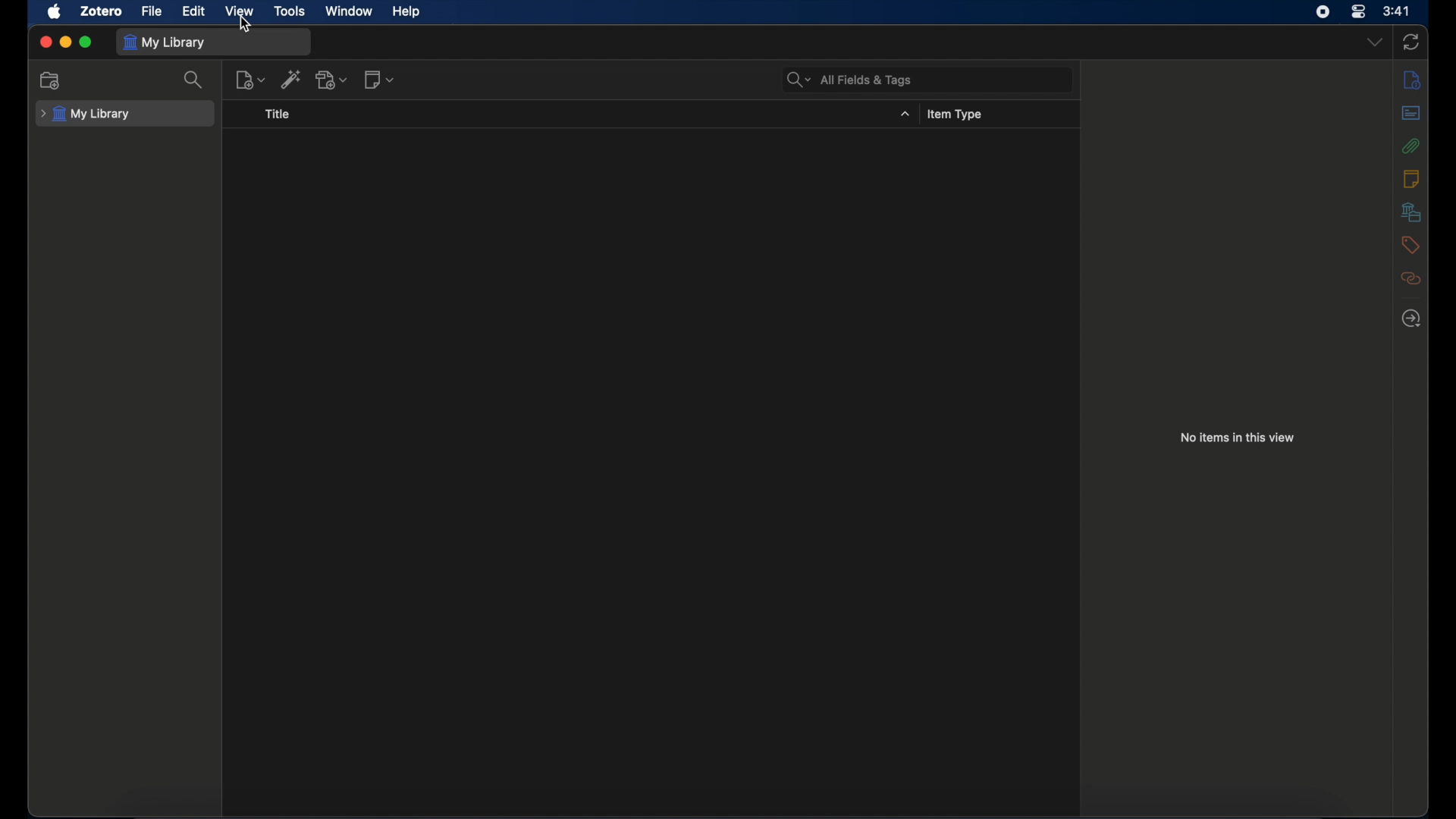 The width and height of the screenshot is (1456, 819). I want to click on window, so click(350, 11).